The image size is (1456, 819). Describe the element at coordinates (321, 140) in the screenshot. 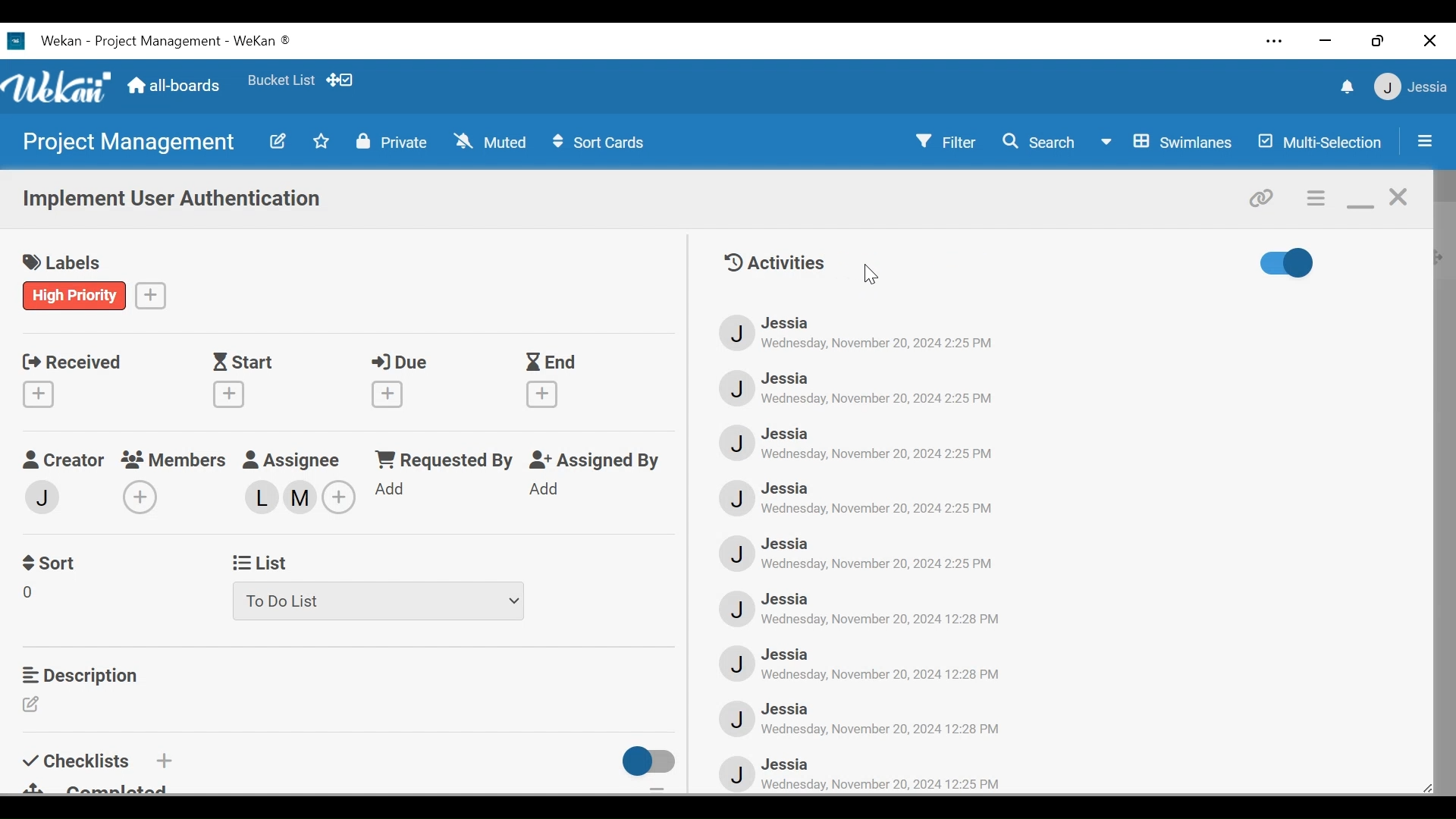

I see `Toggle favorites` at that location.